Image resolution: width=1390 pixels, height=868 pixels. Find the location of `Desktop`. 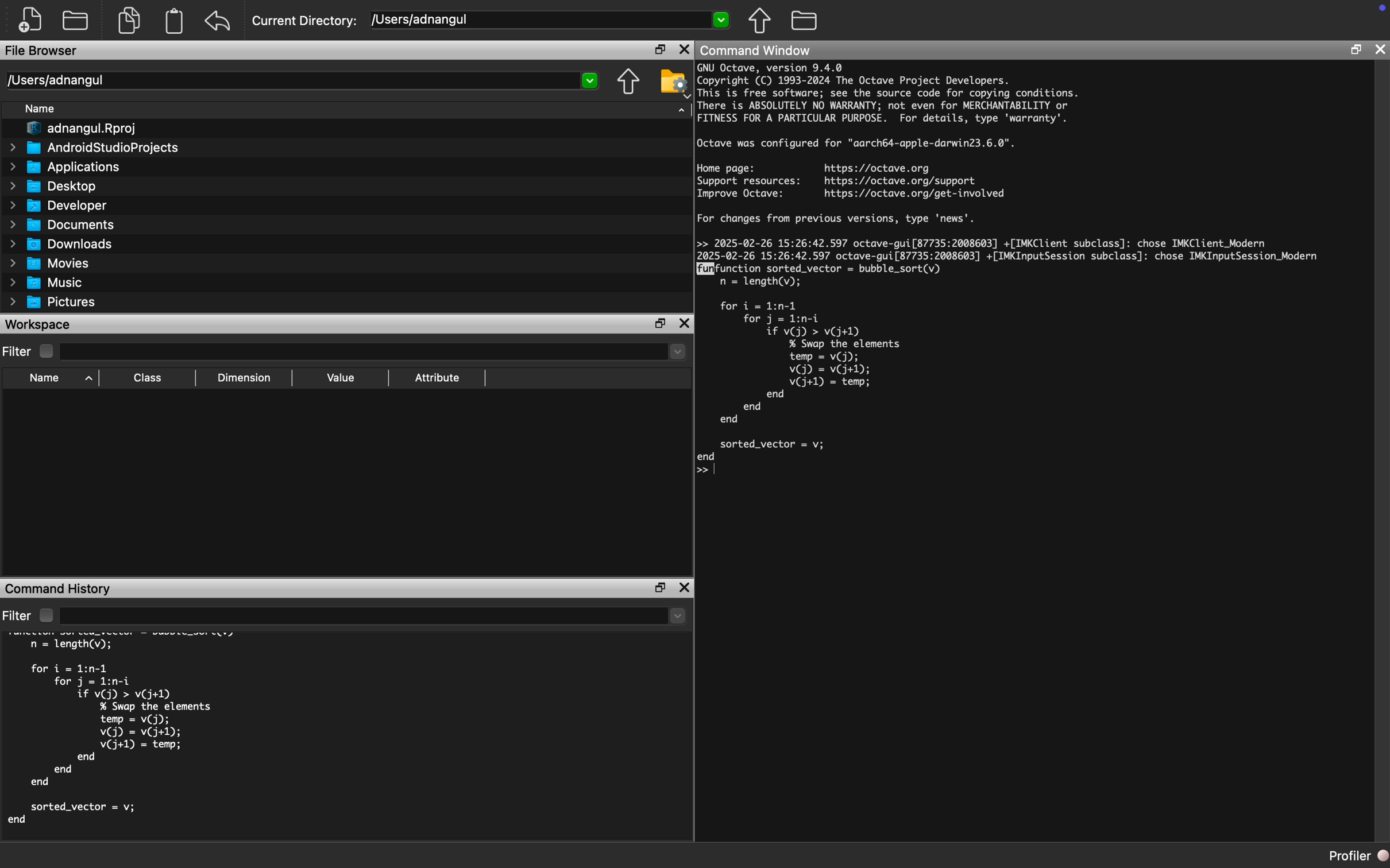

Desktop is located at coordinates (53, 186).